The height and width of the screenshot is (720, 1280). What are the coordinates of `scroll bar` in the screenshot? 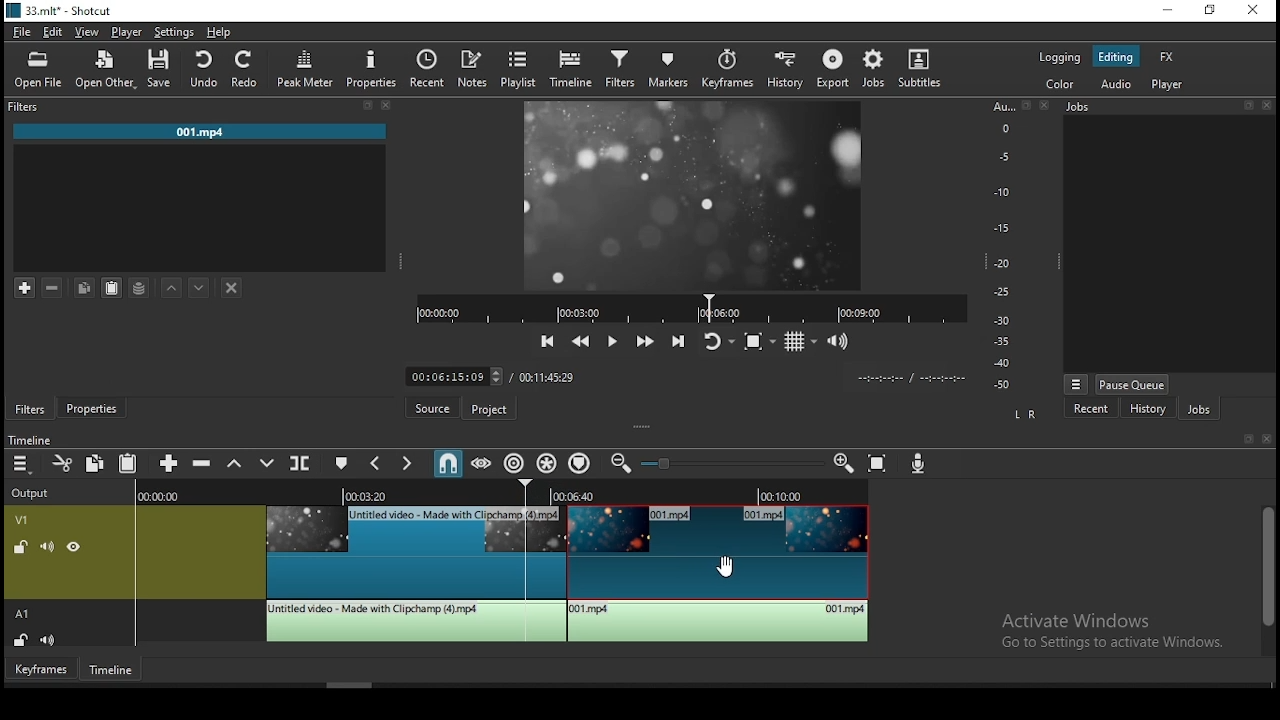 It's located at (355, 683).